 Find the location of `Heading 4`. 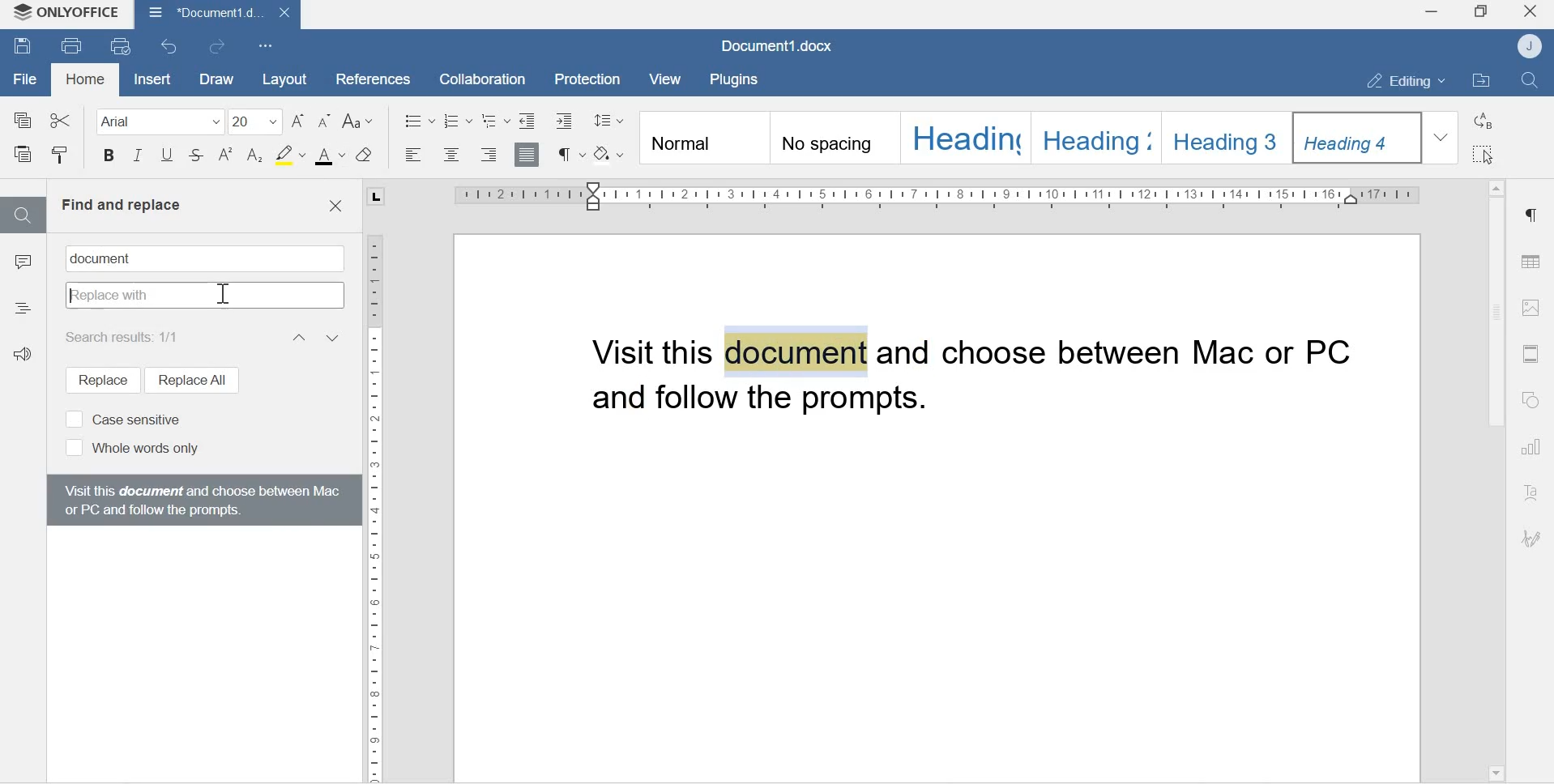

Heading 4 is located at coordinates (1359, 138).